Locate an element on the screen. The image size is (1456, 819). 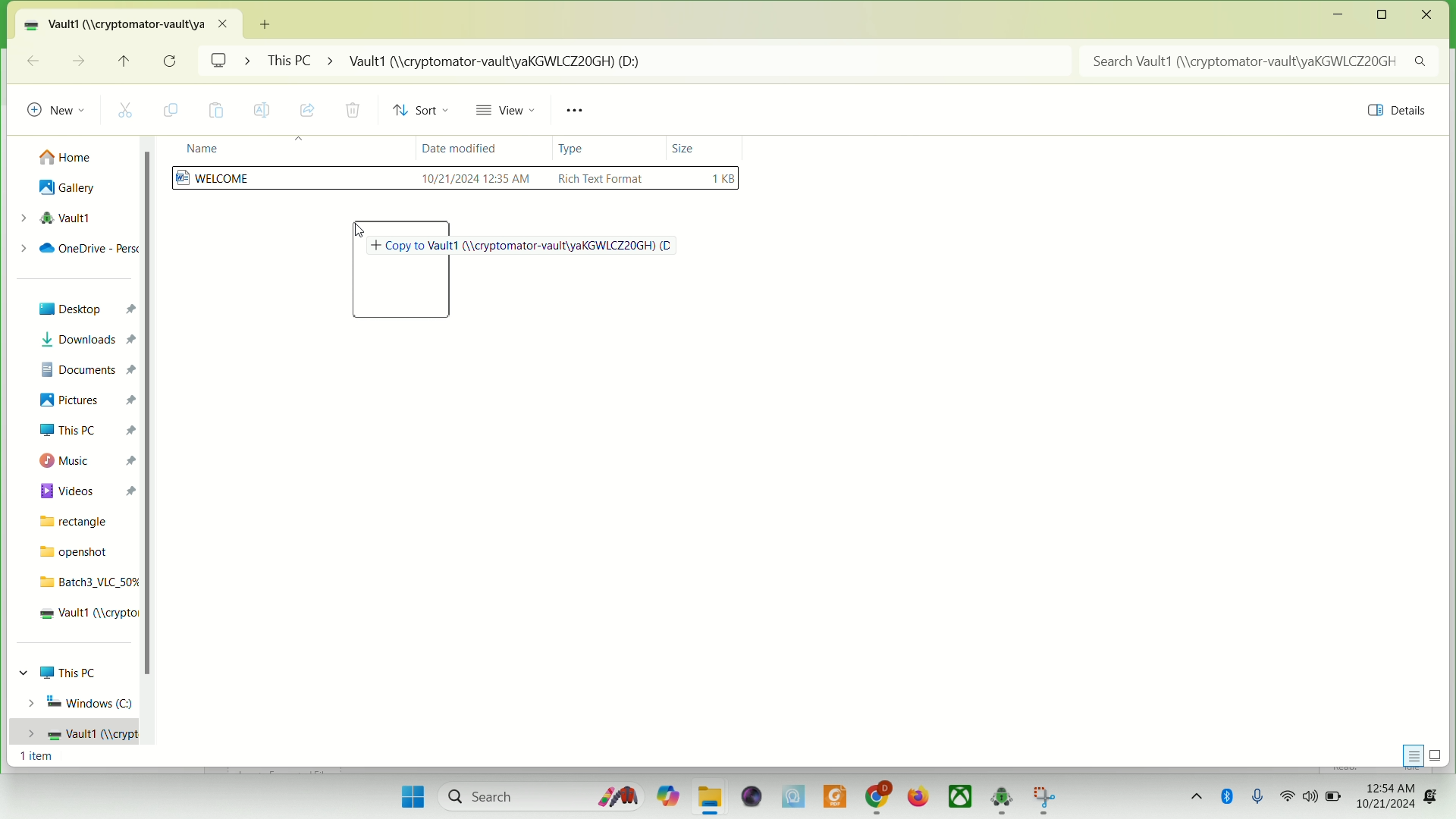
vault1 is located at coordinates (54, 218).